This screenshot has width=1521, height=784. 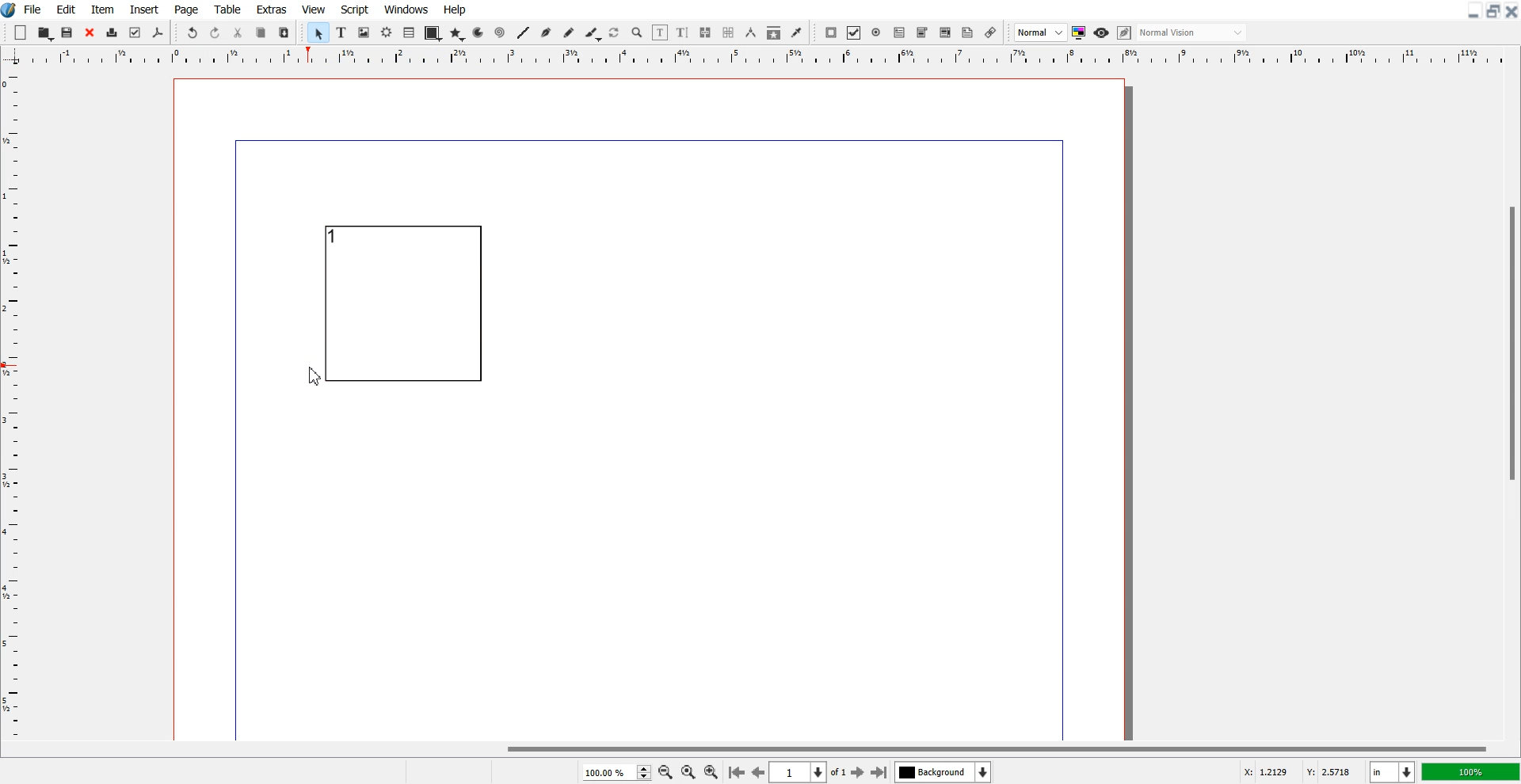 I want to click on Vertical Scroll bar, so click(x=1511, y=404).